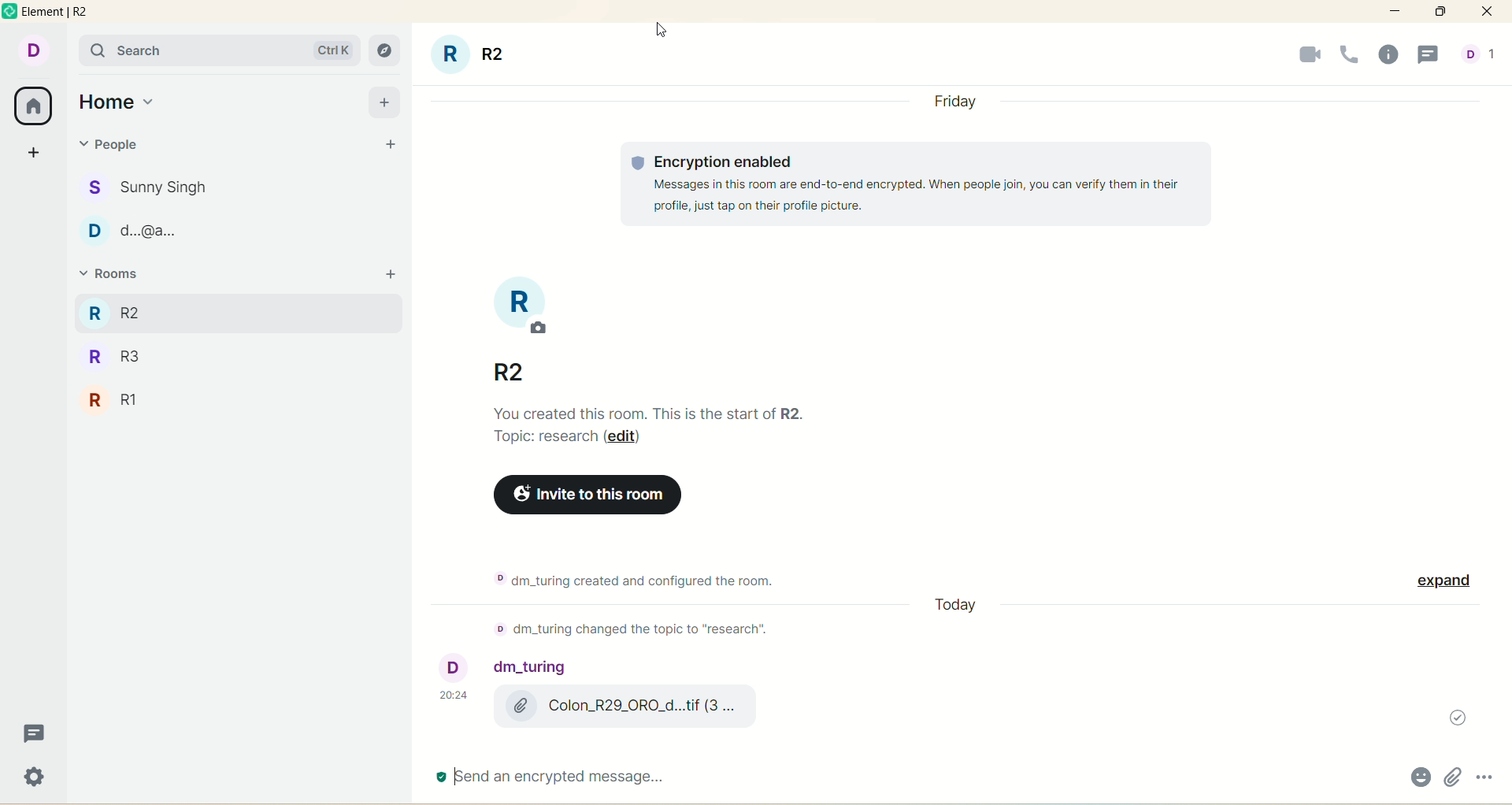 The width and height of the screenshot is (1512, 805). What do you see at coordinates (660, 31) in the screenshot?
I see `cursor` at bounding box center [660, 31].